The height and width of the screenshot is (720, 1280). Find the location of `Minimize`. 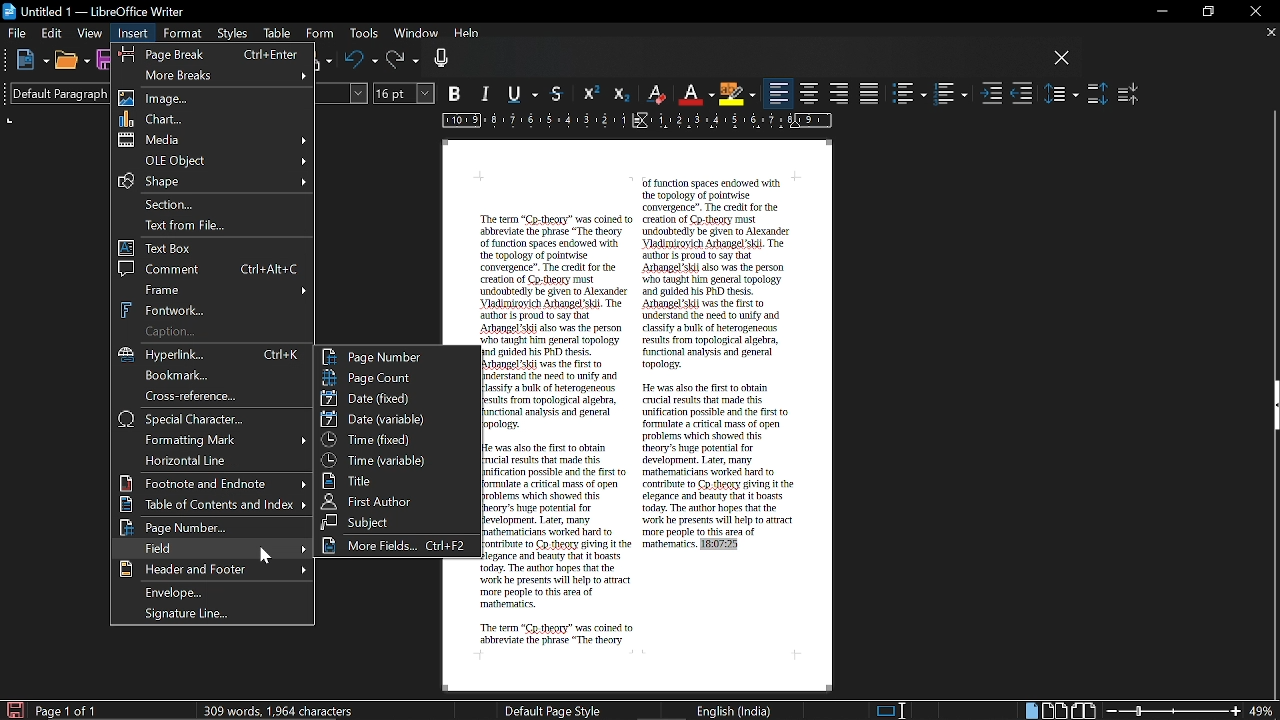

Minimize is located at coordinates (1158, 12).